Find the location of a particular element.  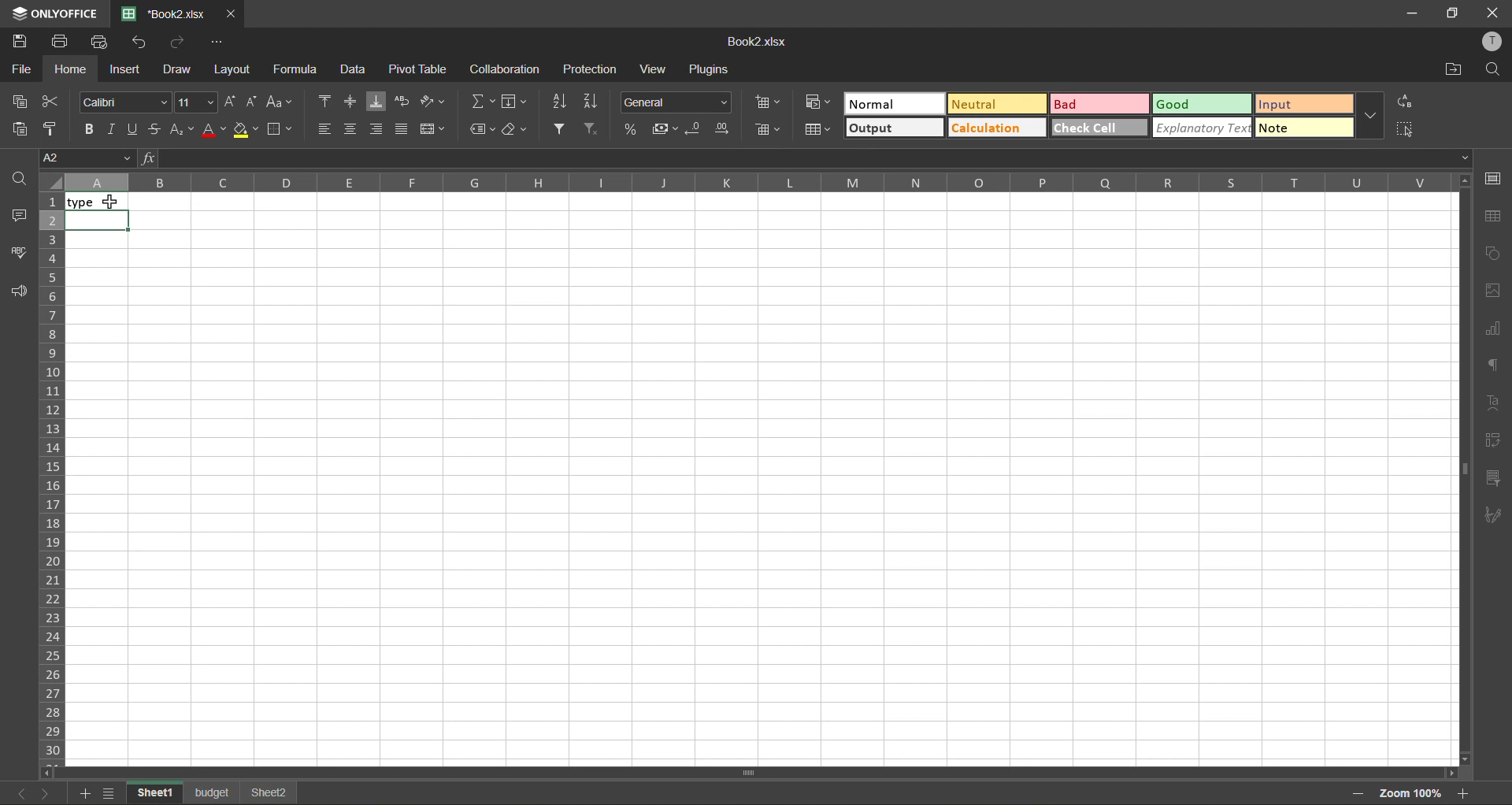

print is located at coordinates (59, 43).